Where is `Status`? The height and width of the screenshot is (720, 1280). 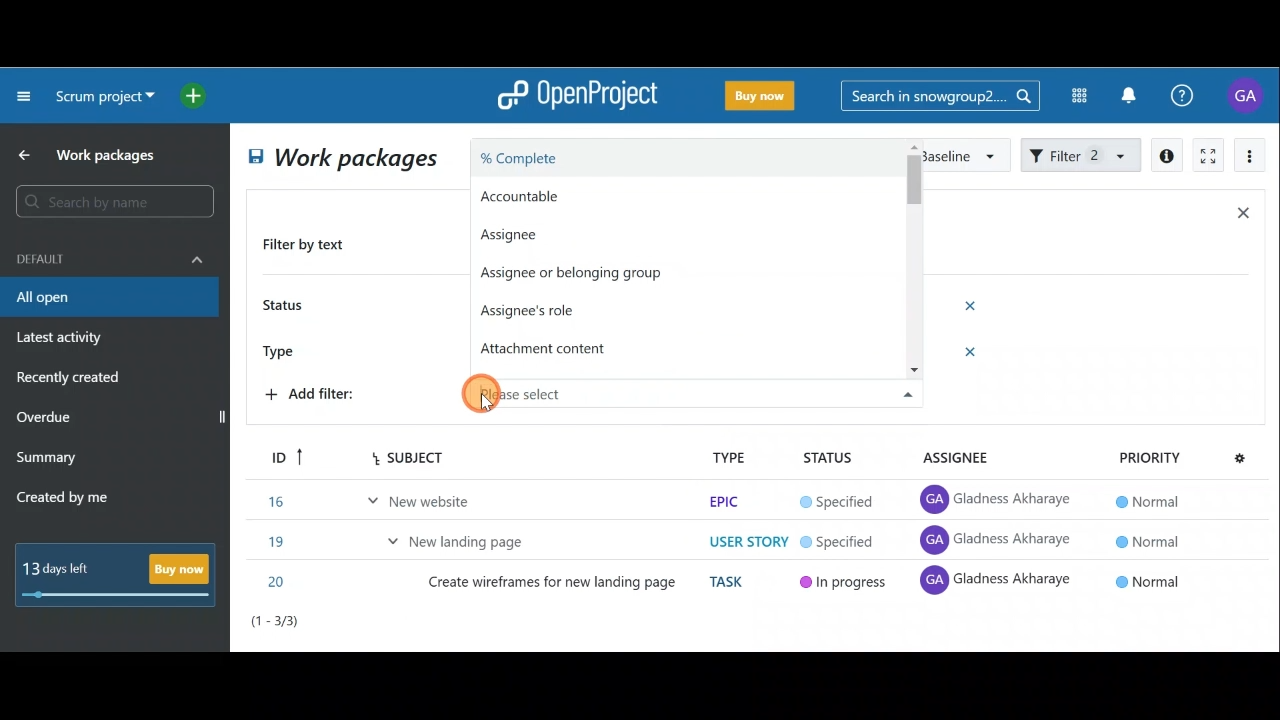
Status is located at coordinates (286, 307).